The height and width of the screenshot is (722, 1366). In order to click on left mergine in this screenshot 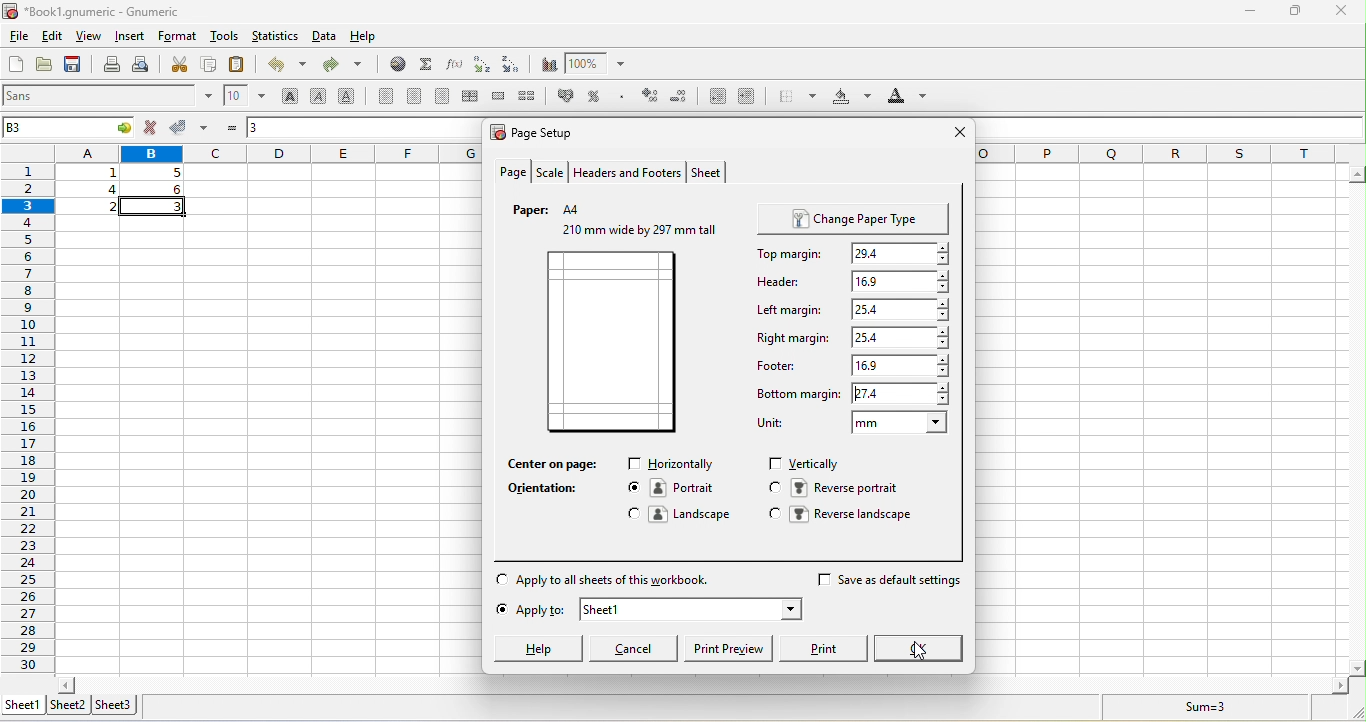, I will do `click(787, 311)`.